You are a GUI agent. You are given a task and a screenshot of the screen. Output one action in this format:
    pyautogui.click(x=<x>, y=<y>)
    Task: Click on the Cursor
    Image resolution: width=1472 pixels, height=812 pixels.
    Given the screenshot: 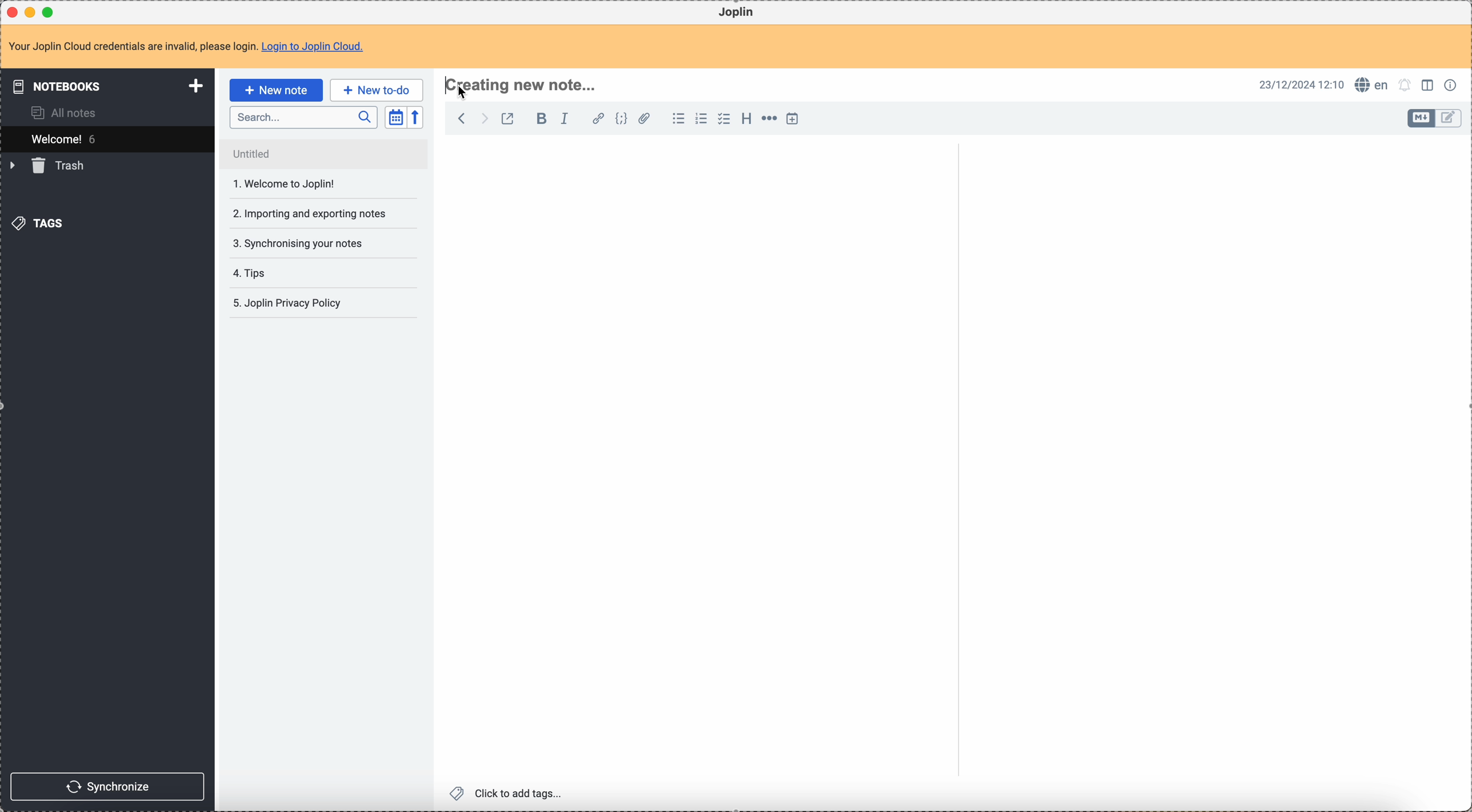 What is the action you would take?
    pyautogui.click(x=464, y=92)
    